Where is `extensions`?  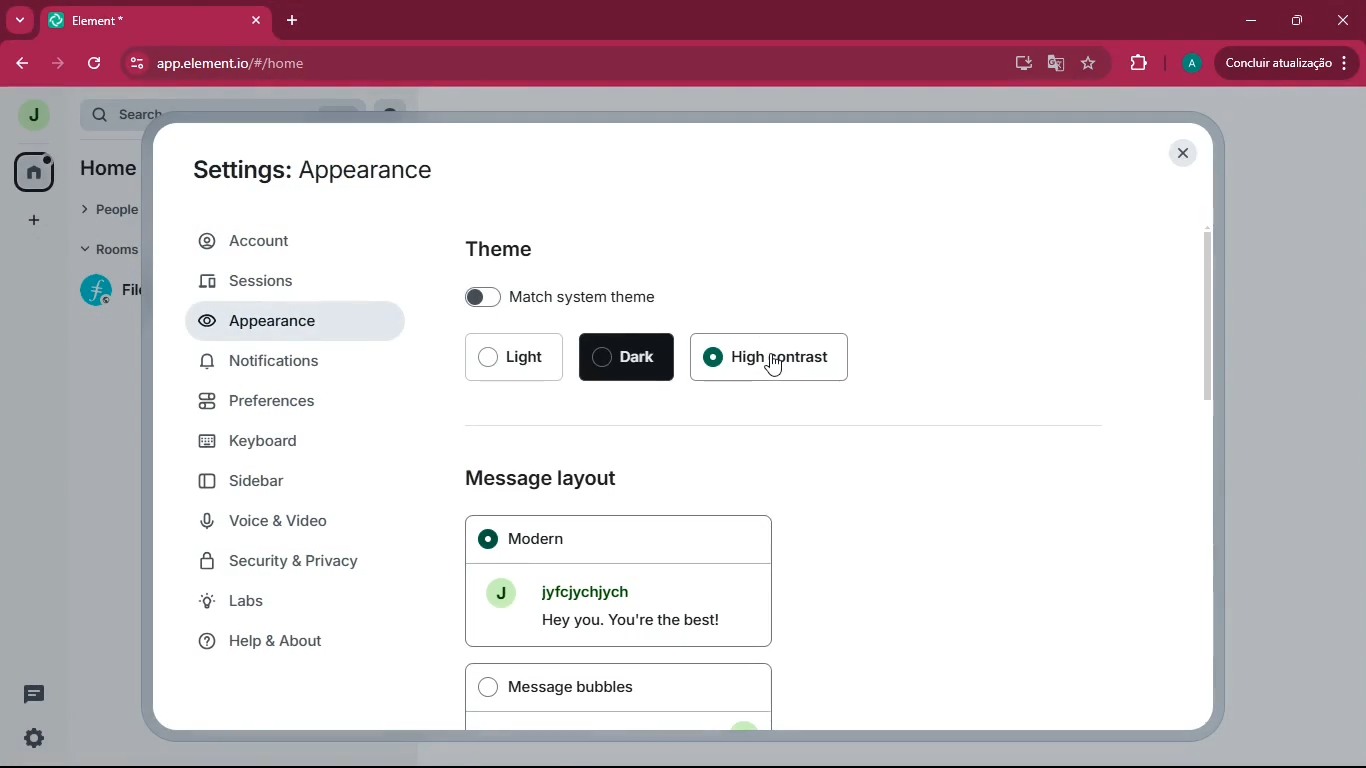
extensions is located at coordinates (1135, 64).